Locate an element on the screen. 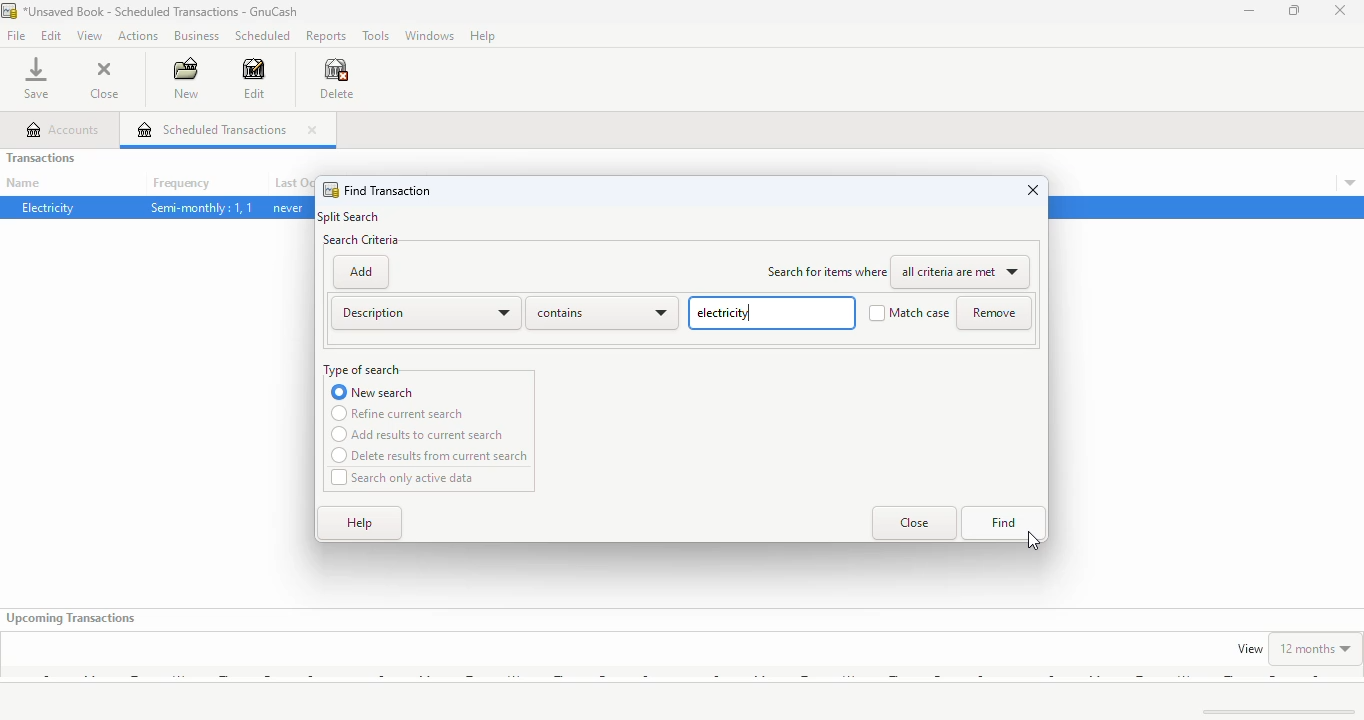  logo is located at coordinates (330, 190).